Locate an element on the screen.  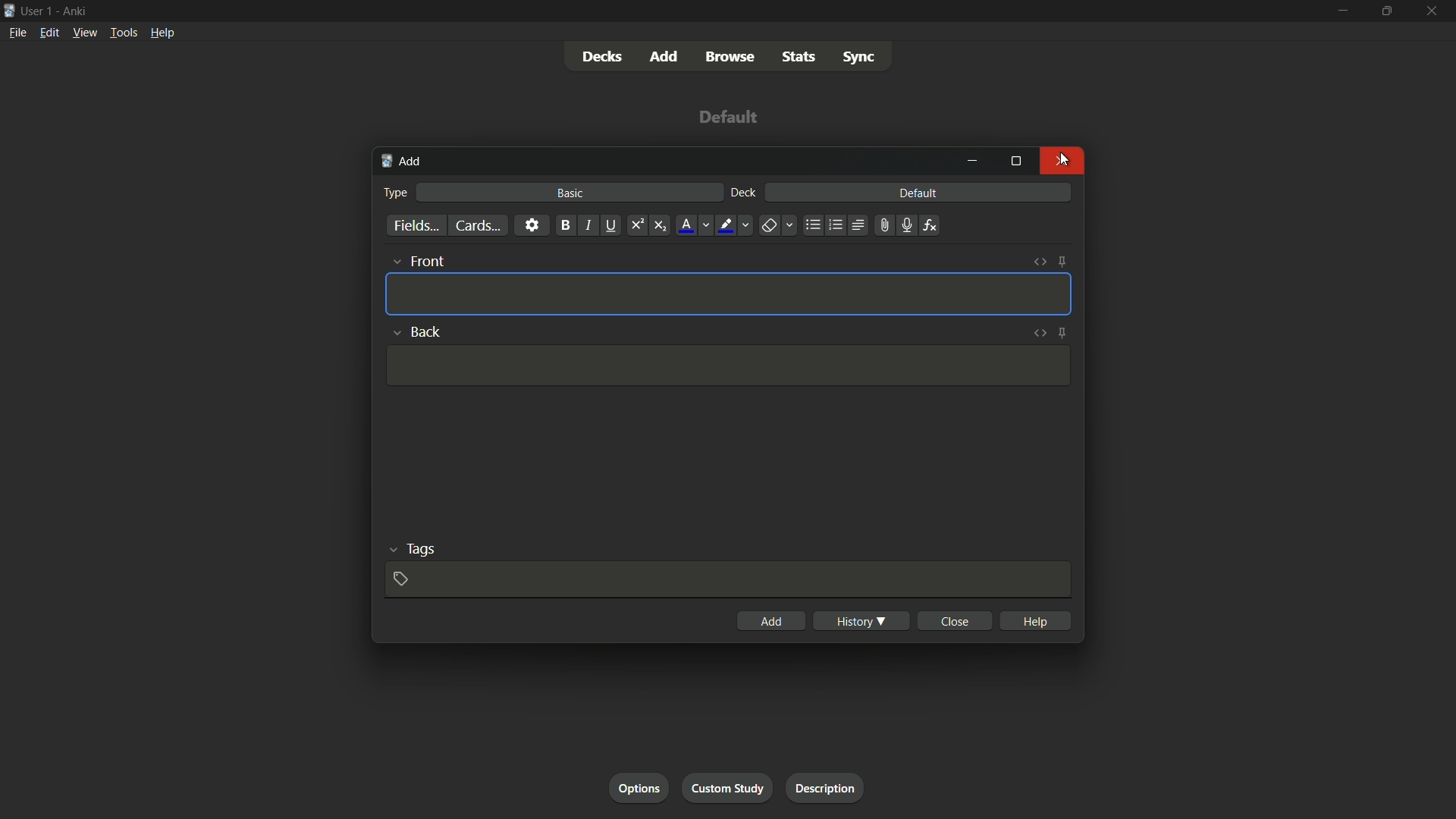
alignment is located at coordinates (858, 224).